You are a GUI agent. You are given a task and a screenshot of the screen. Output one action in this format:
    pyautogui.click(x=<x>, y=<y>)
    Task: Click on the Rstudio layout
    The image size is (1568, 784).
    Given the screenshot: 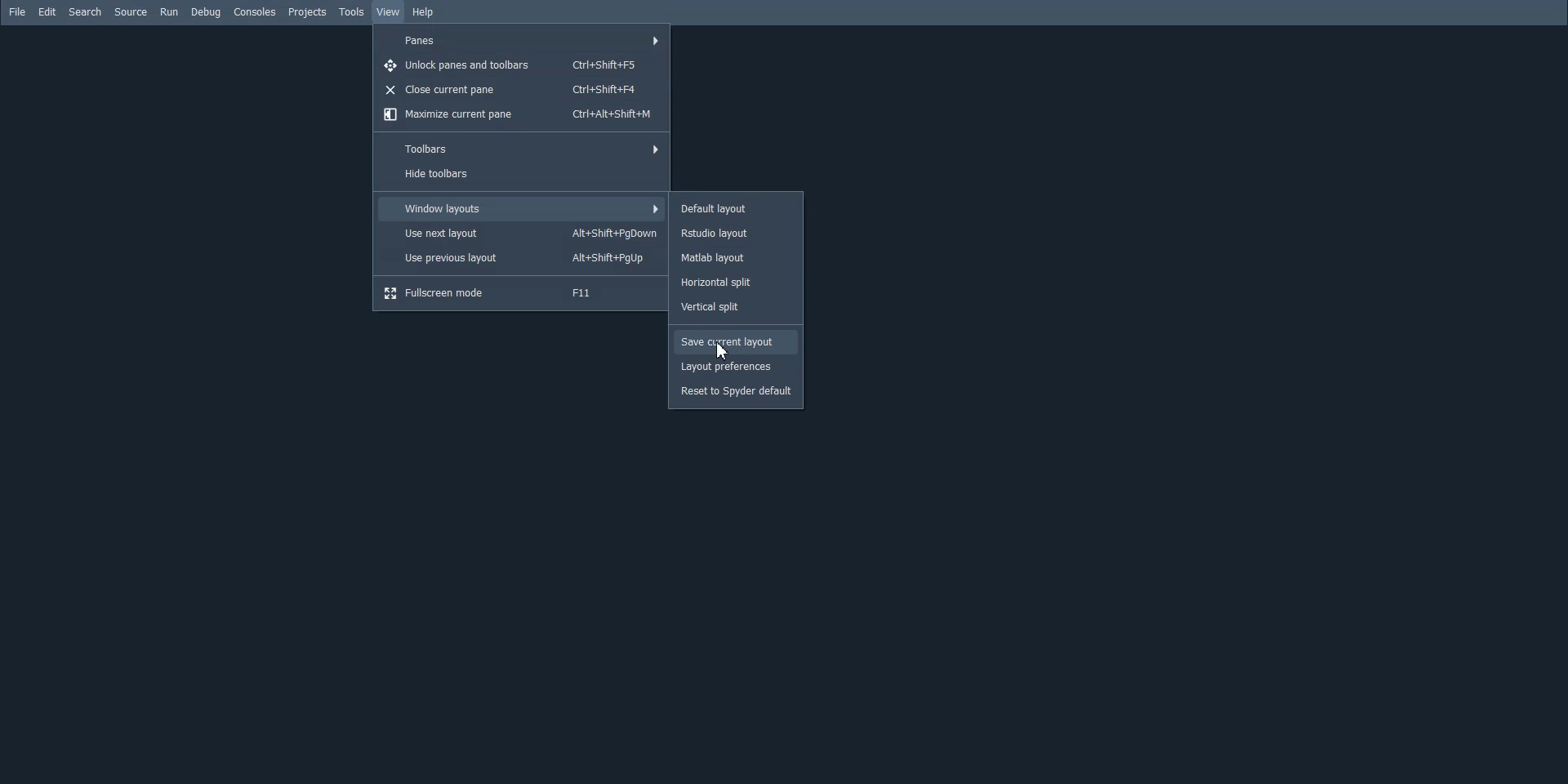 What is the action you would take?
    pyautogui.click(x=737, y=233)
    